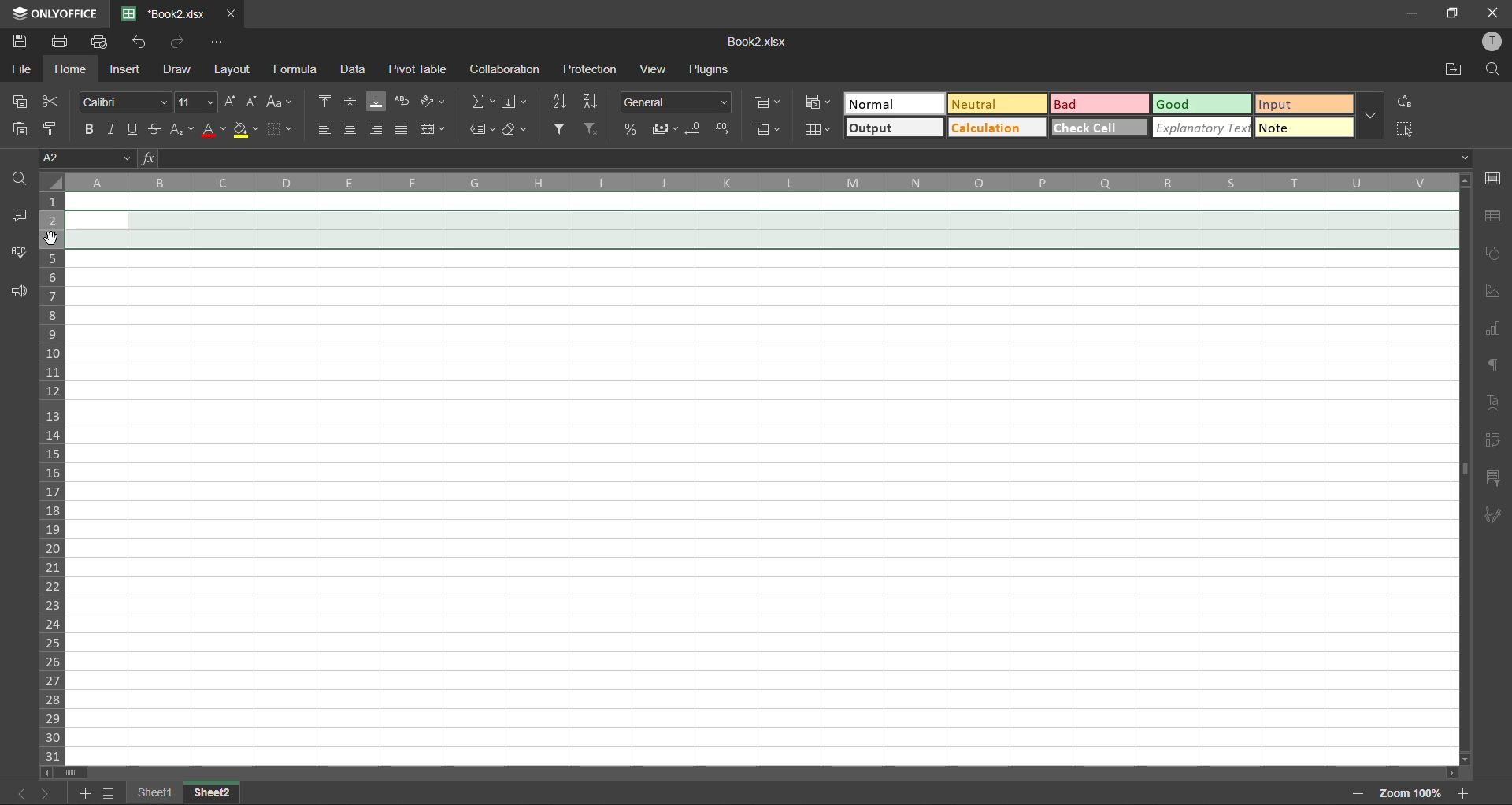 This screenshot has height=805, width=1512. I want to click on underline, so click(135, 127).